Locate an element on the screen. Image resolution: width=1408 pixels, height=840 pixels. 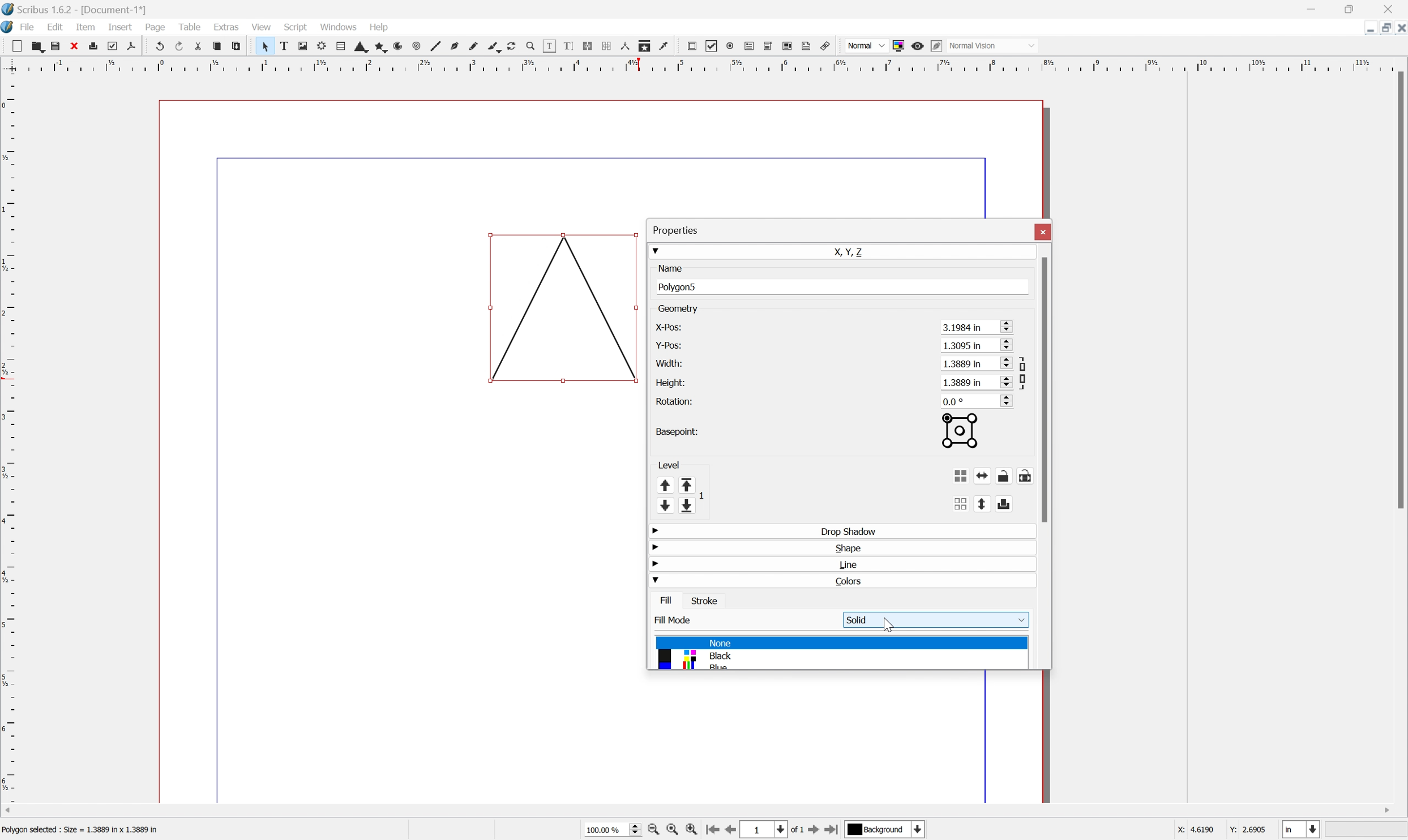
Lock or unlock the size of the object is located at coordinates (1040, 474).